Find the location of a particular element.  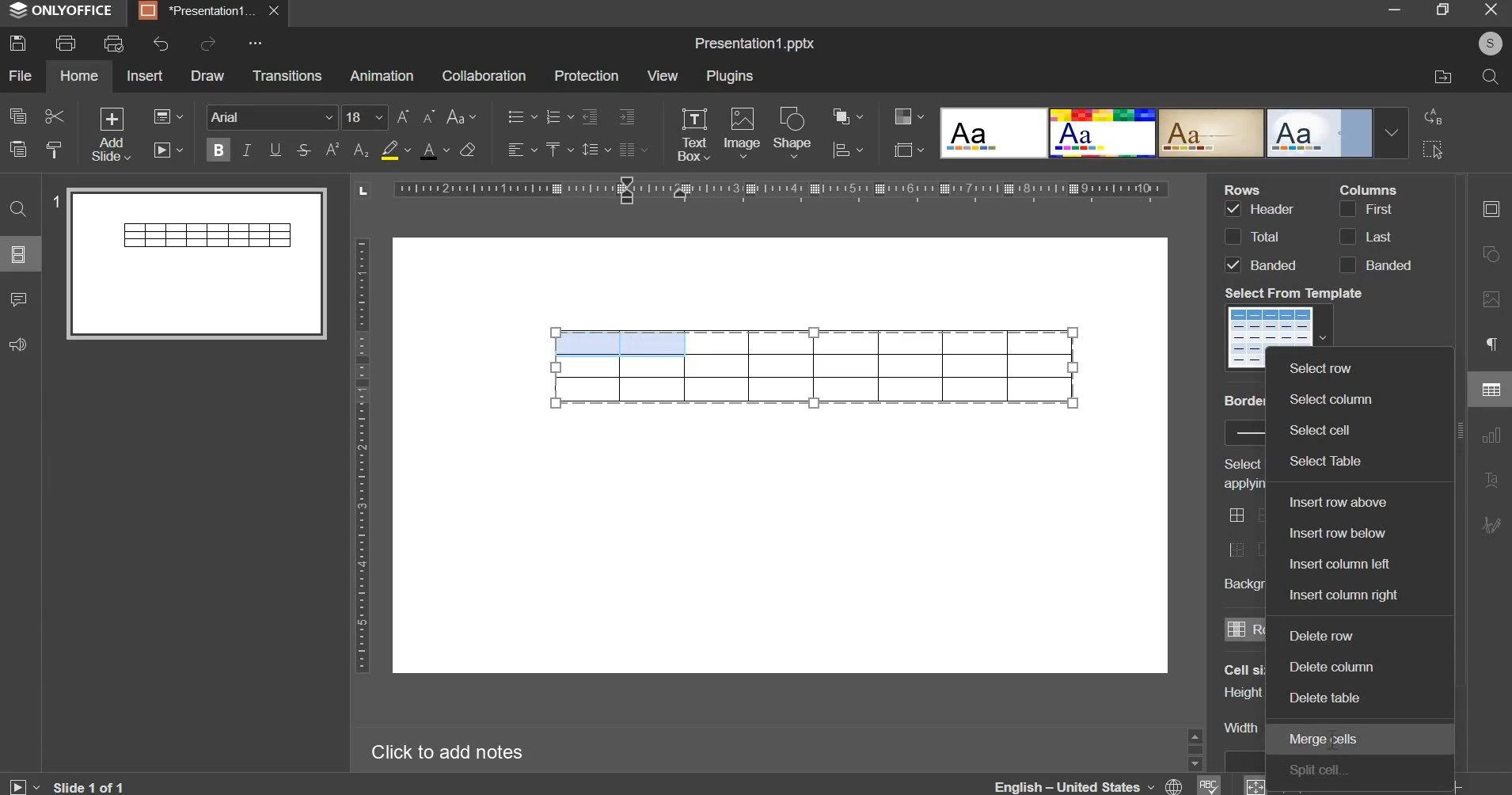

Click to add notes is located at coordinates (443, 749).